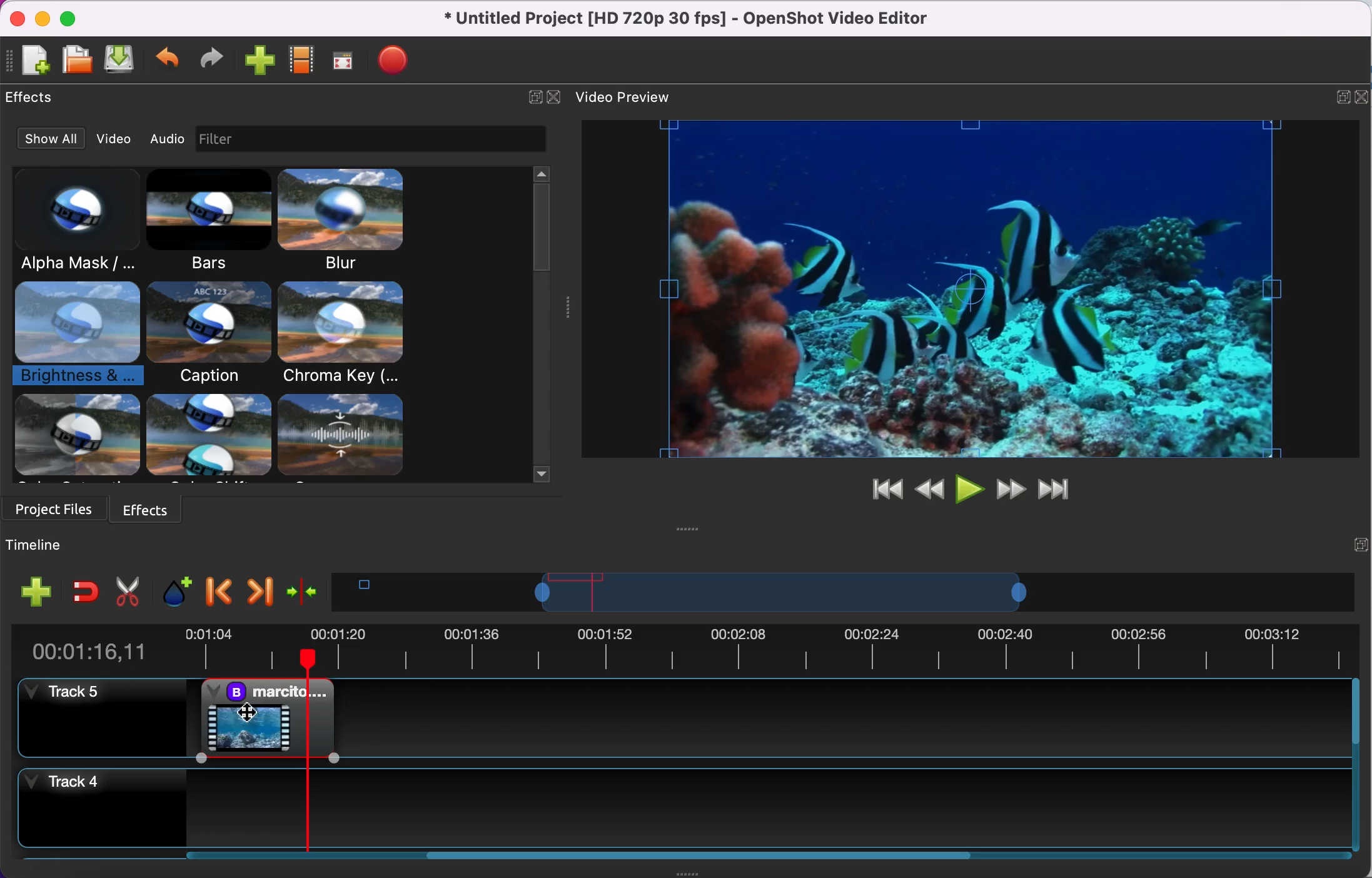  Describe the element at coordinates (218, 590) in the screenshot. I see `previous marker` at that location.